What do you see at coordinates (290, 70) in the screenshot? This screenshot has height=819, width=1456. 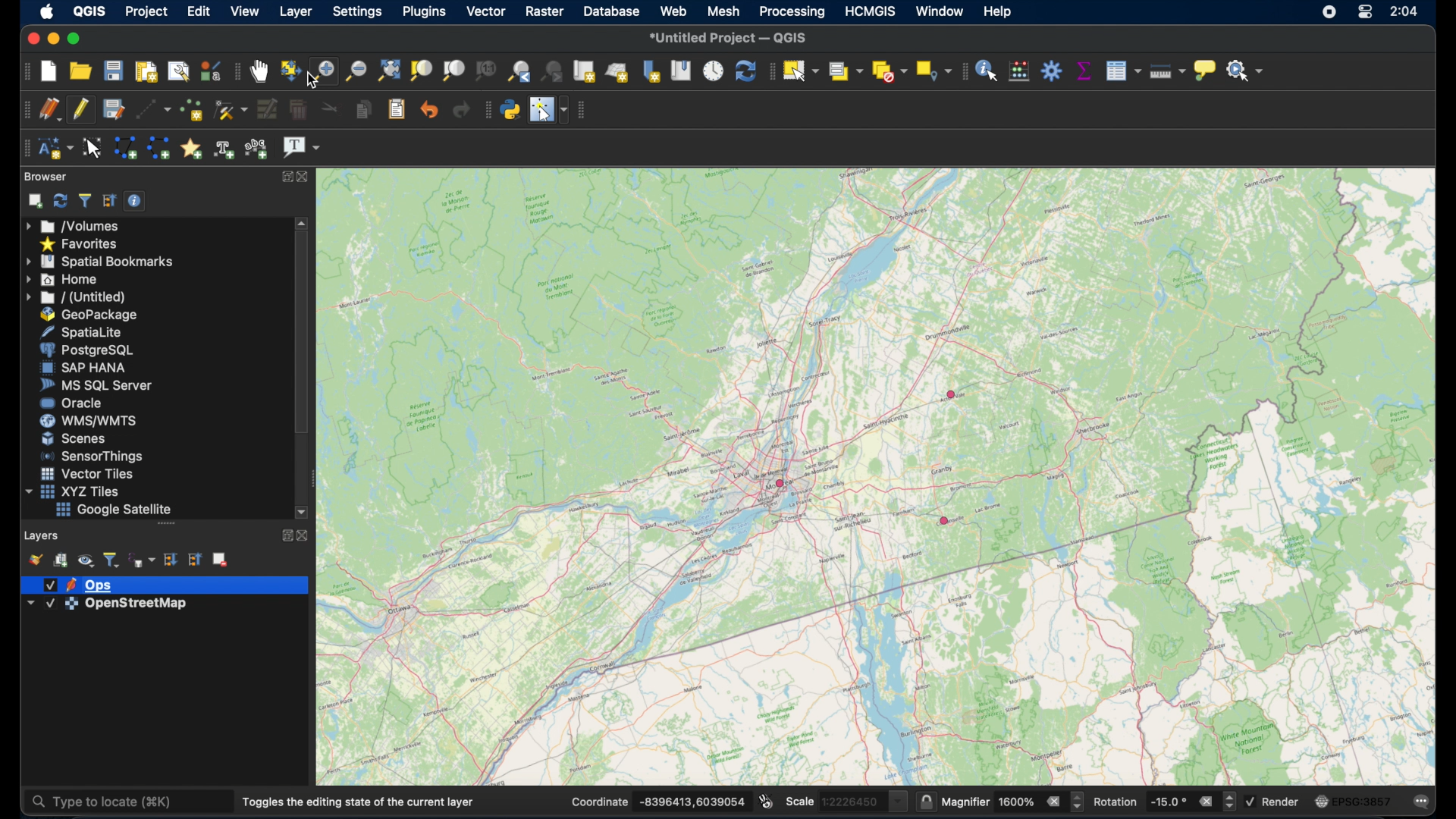 I see `pan map to selection ` at bounding box center [290, 70].